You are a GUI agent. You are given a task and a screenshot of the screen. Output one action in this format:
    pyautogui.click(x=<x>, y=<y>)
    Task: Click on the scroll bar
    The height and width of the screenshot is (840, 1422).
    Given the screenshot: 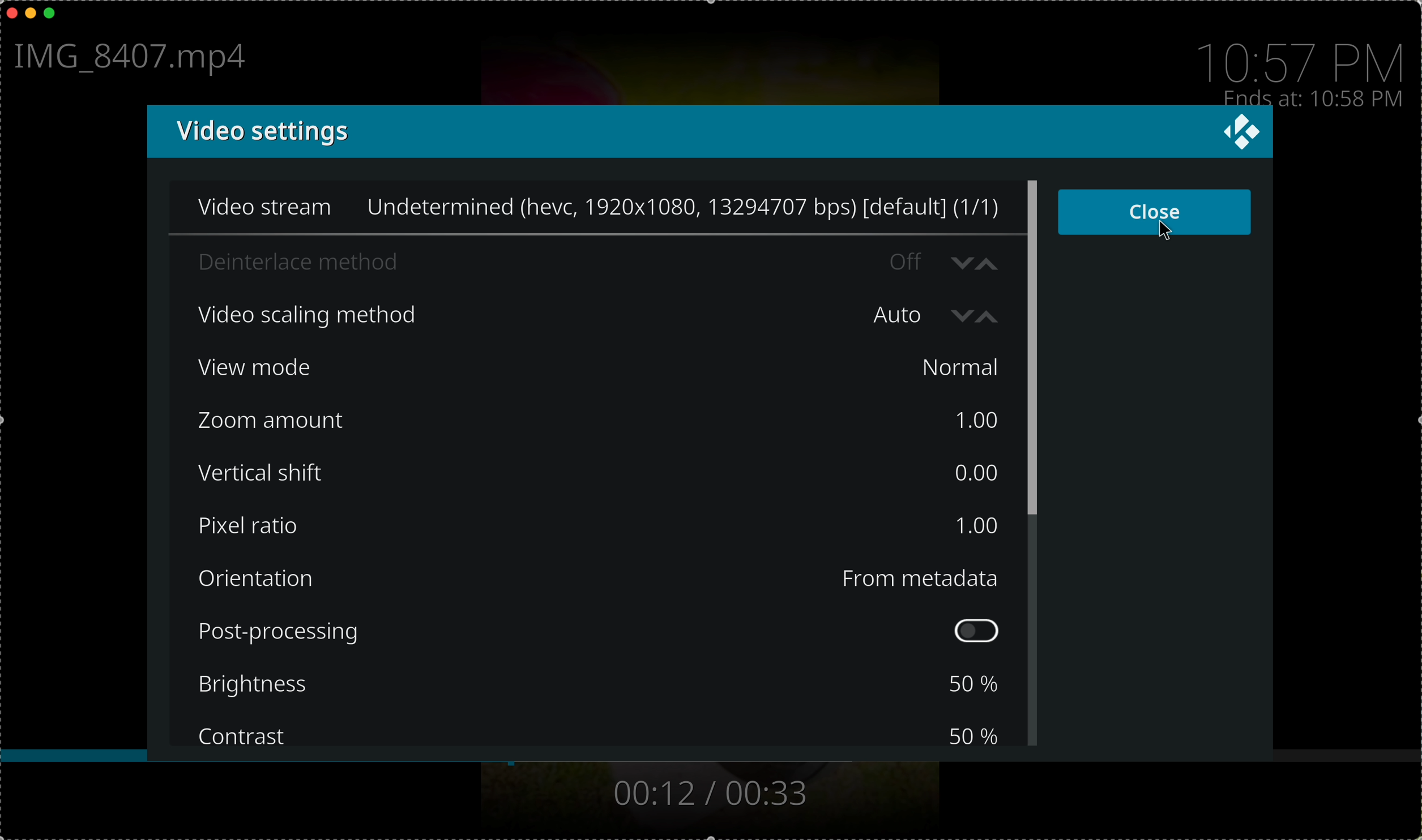 What is the action you would take?
    pyautogui.click(x=1035, y=461)
    